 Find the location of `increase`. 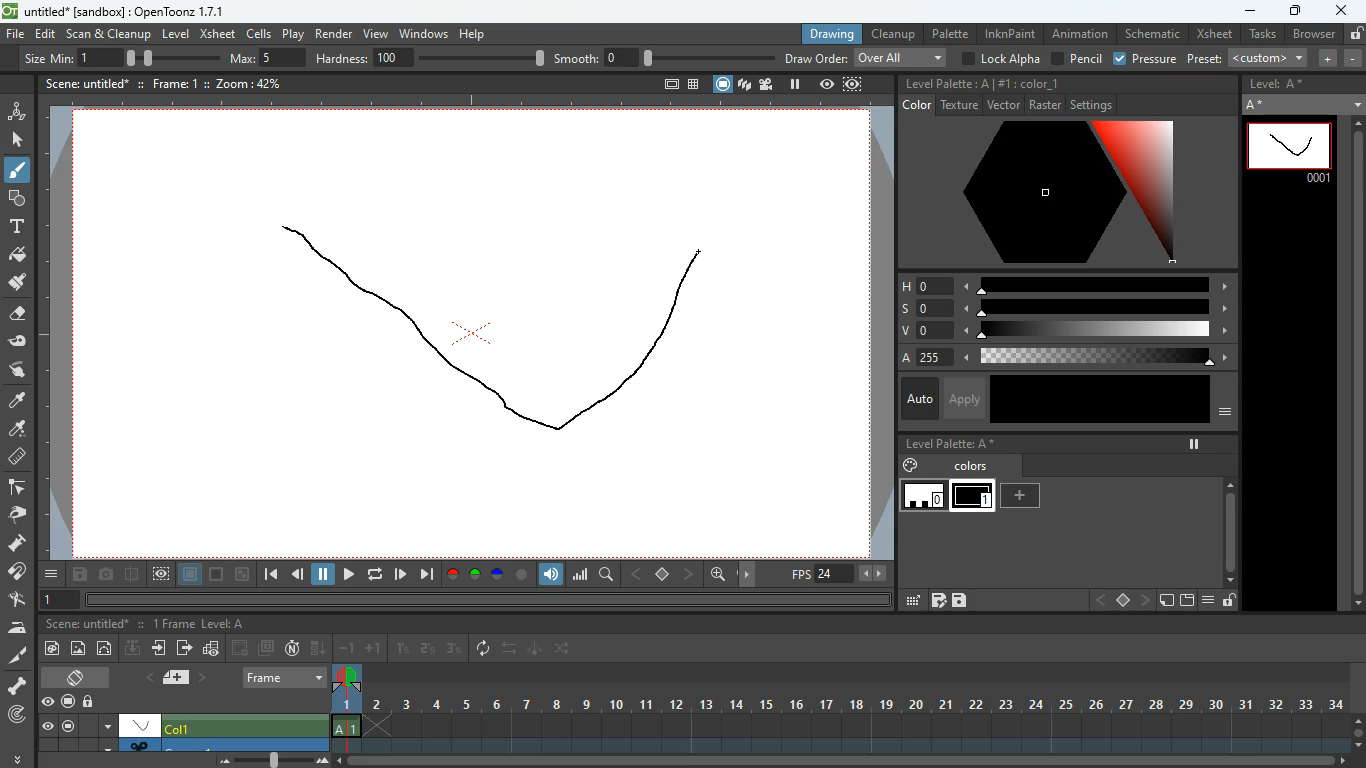

increase is located at coordinates (1324, 58).